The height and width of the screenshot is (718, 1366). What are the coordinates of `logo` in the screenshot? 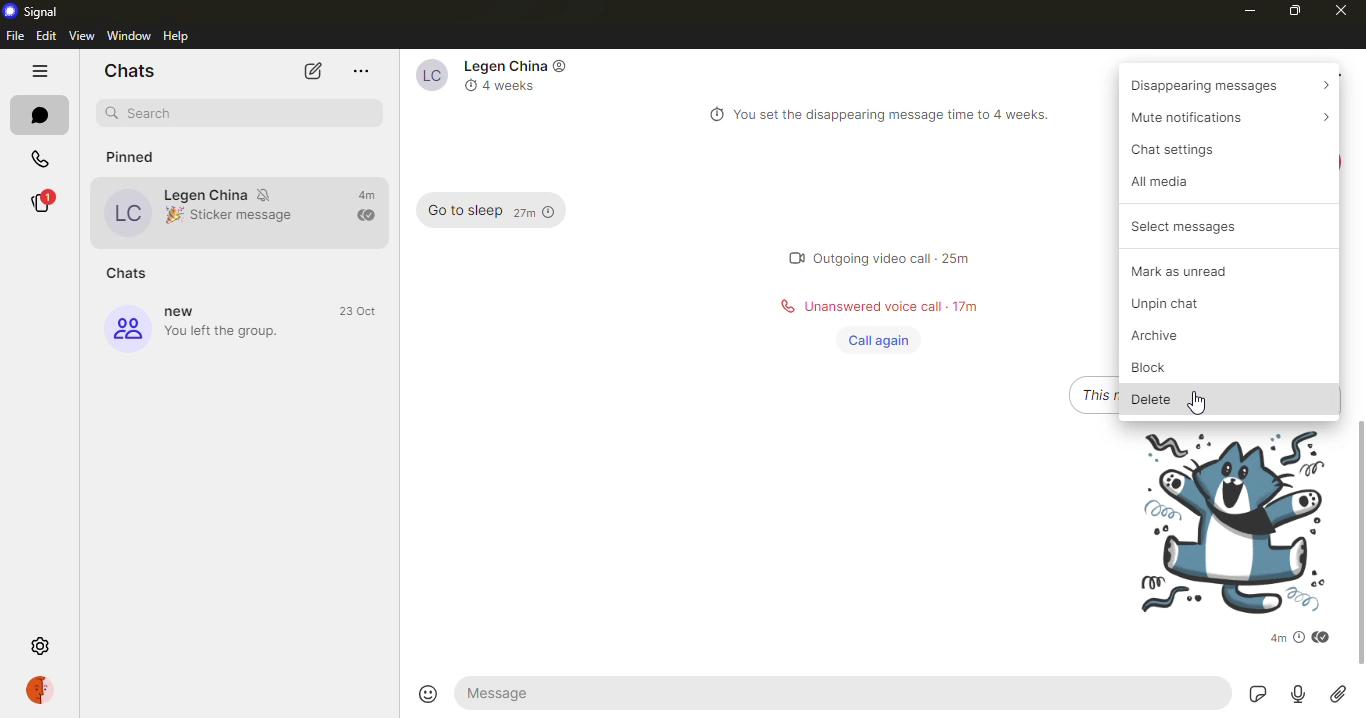 It's located at (561, 65).